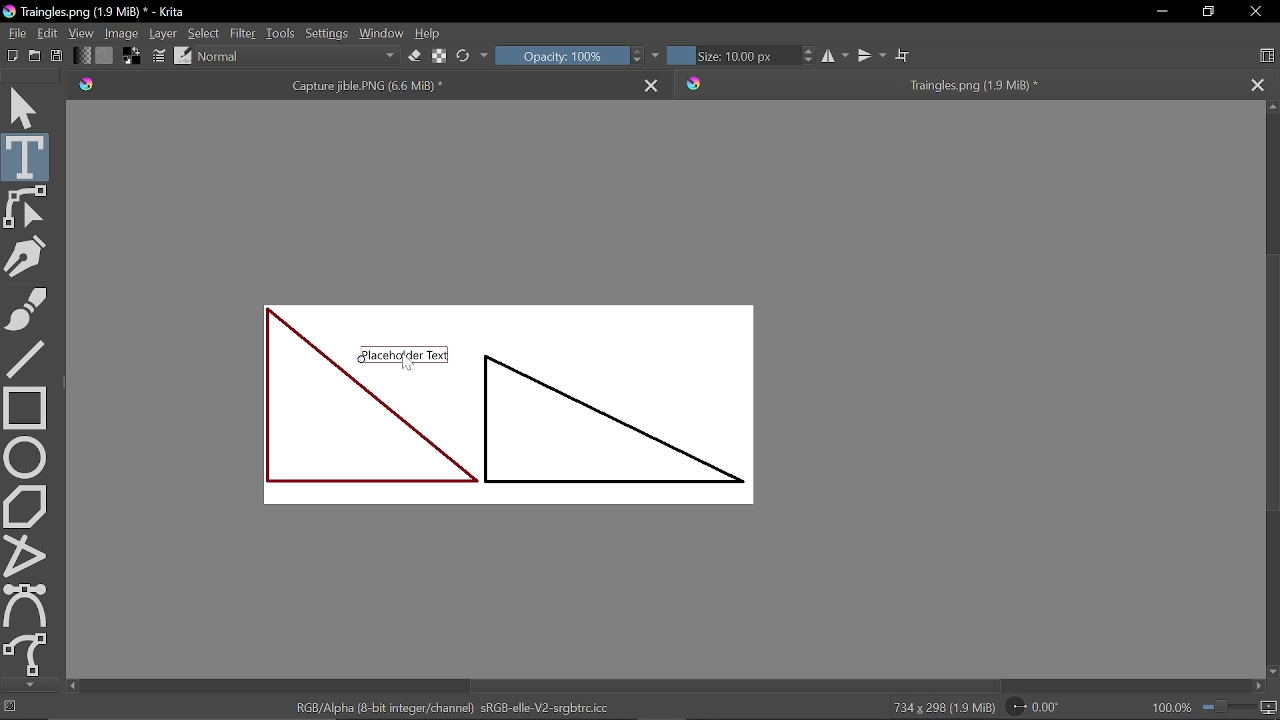  Describe the element at coordinates (95, 12) in the screenshot. I see `Traingles.png (1.9 MiB) * - Krita` at that location.